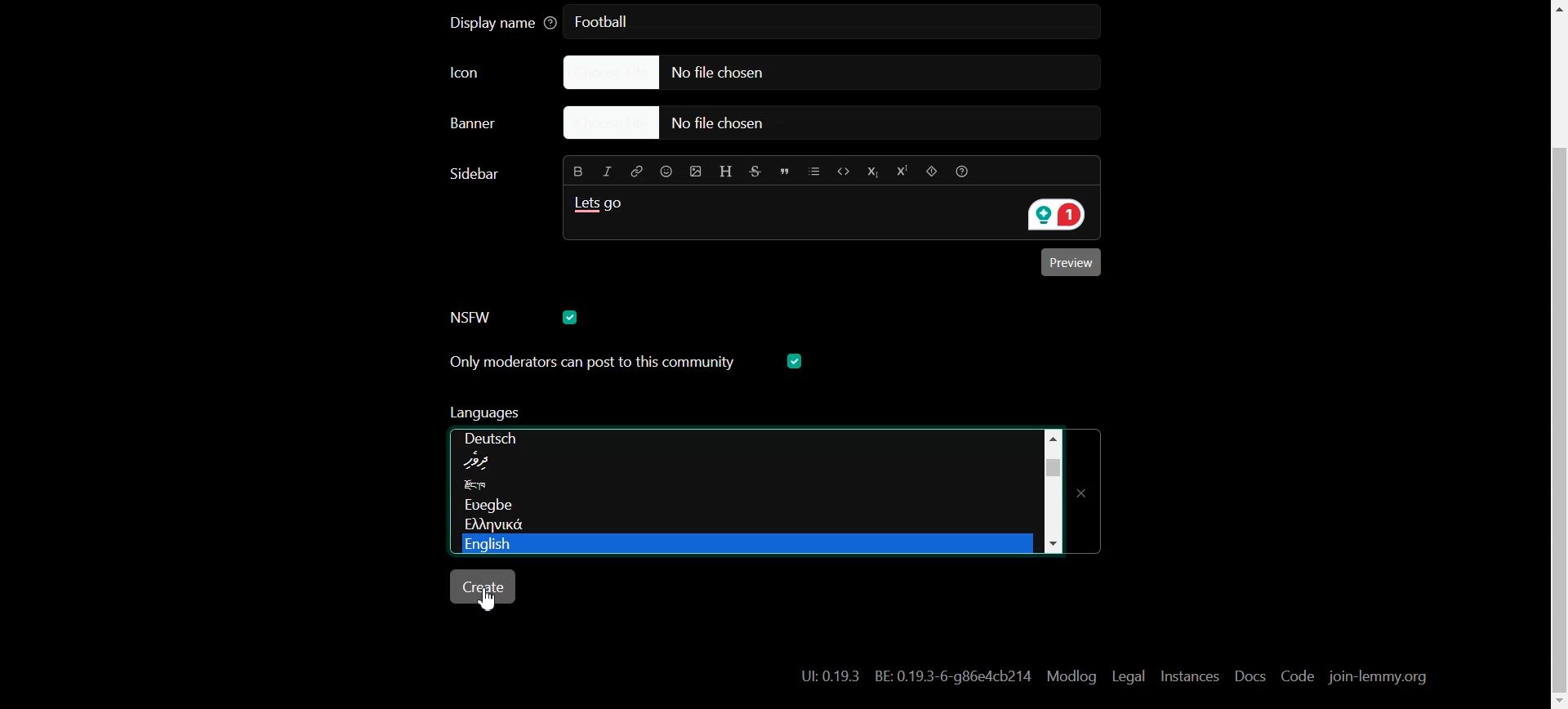 This screenshot has height=709, width=1568. Describe the element at coordinates (486, 316) in the screenshot. I see `NSFW Enable` at that location.